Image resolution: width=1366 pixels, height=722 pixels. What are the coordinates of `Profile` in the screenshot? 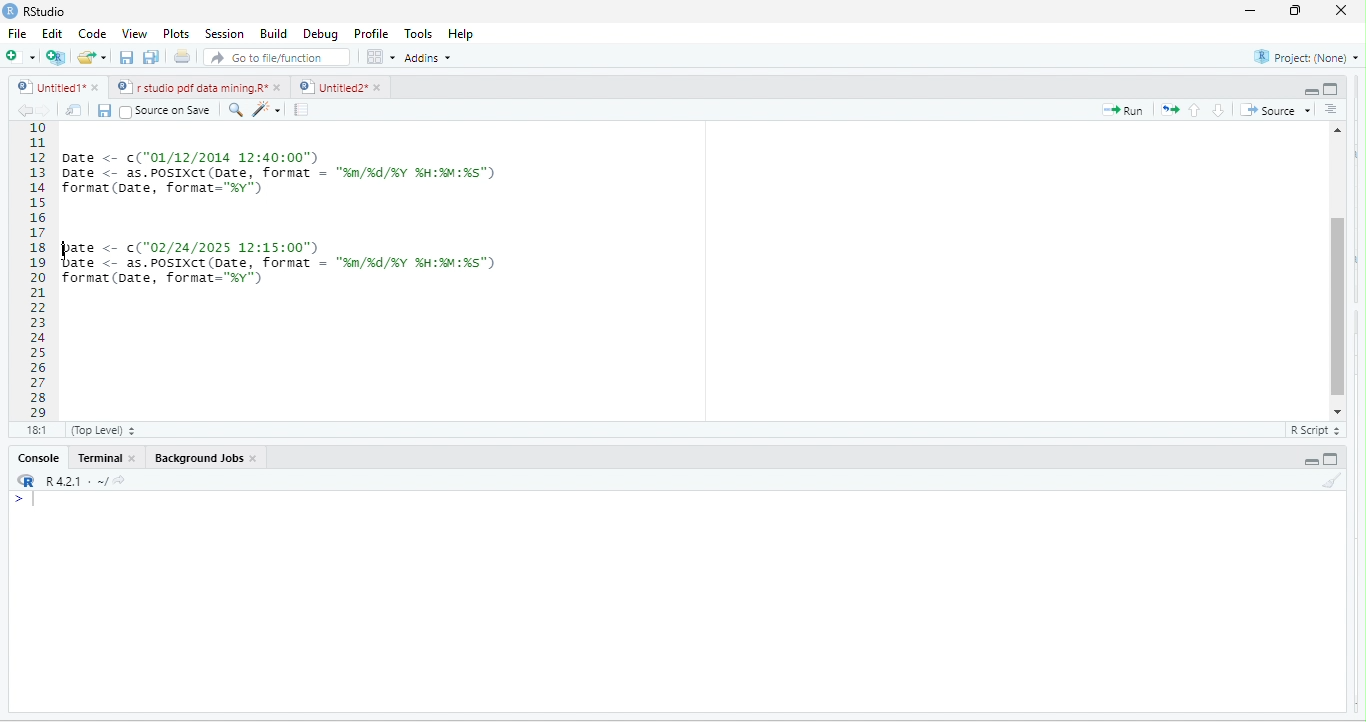 It's located at (368, 33).